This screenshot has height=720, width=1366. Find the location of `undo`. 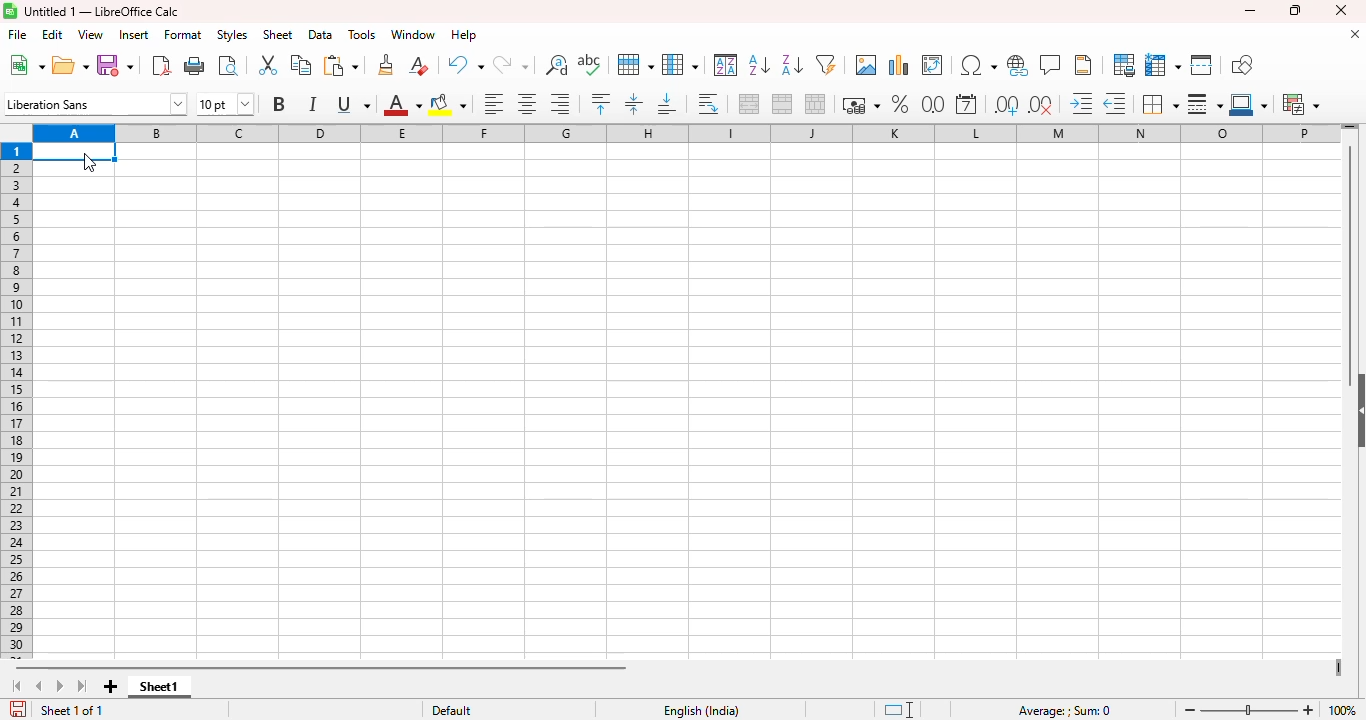

undo is located at coordinates (465, 65).